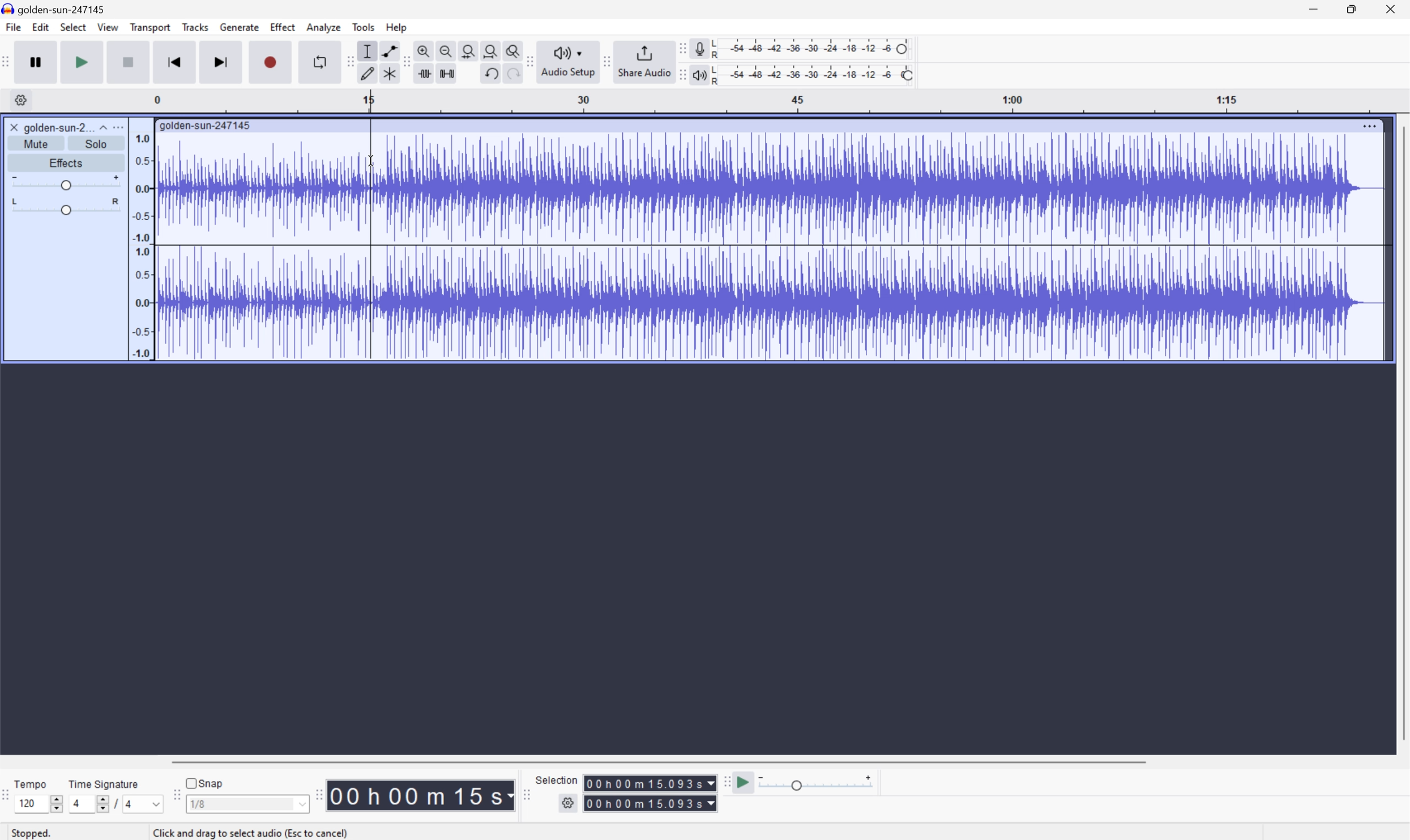  Describe the element at coordinates (1348, 8) in the screenshot. I see `Restore Down` at that location.